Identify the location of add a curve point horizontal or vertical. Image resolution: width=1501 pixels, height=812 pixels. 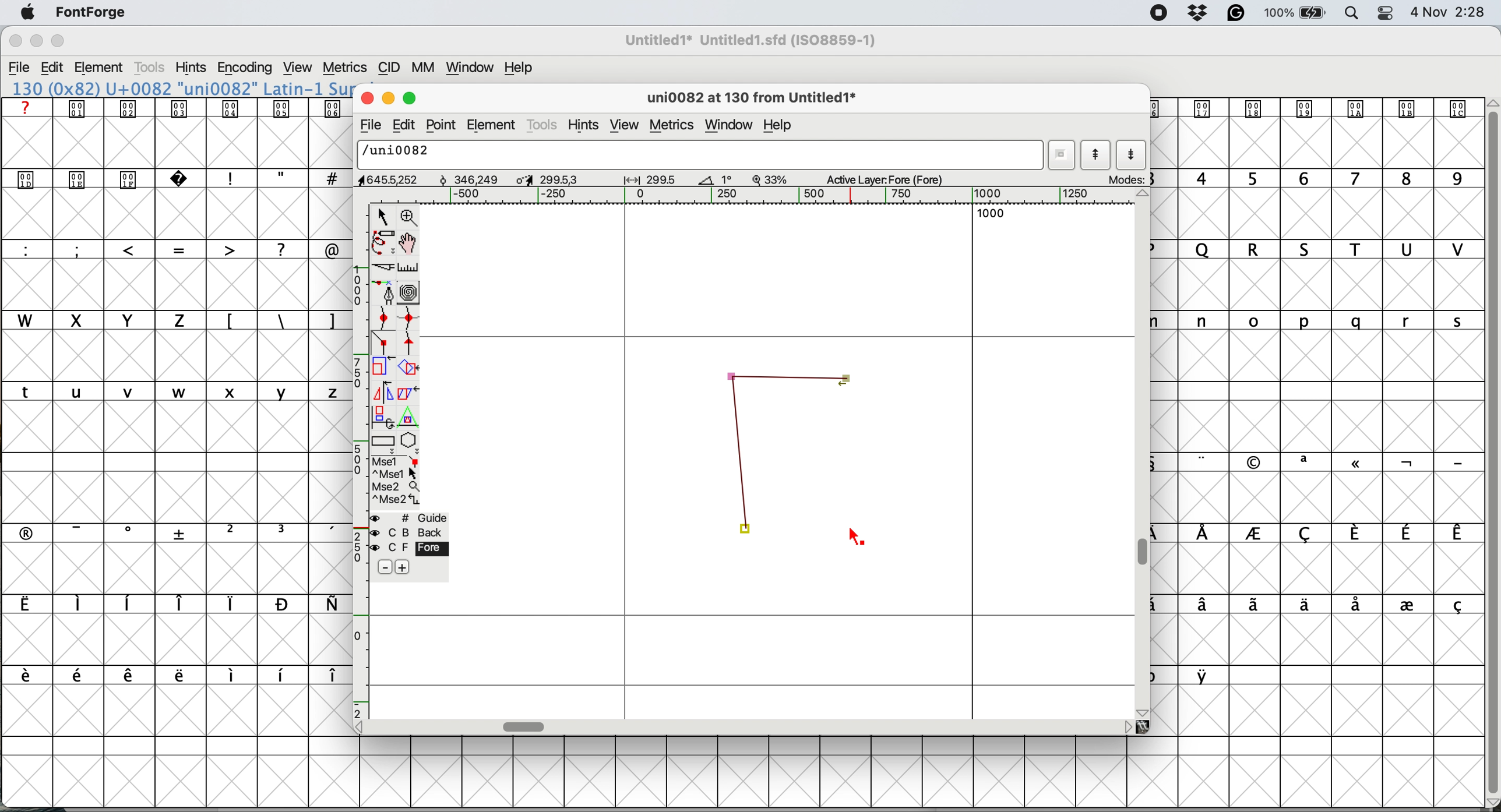
(409, 318).